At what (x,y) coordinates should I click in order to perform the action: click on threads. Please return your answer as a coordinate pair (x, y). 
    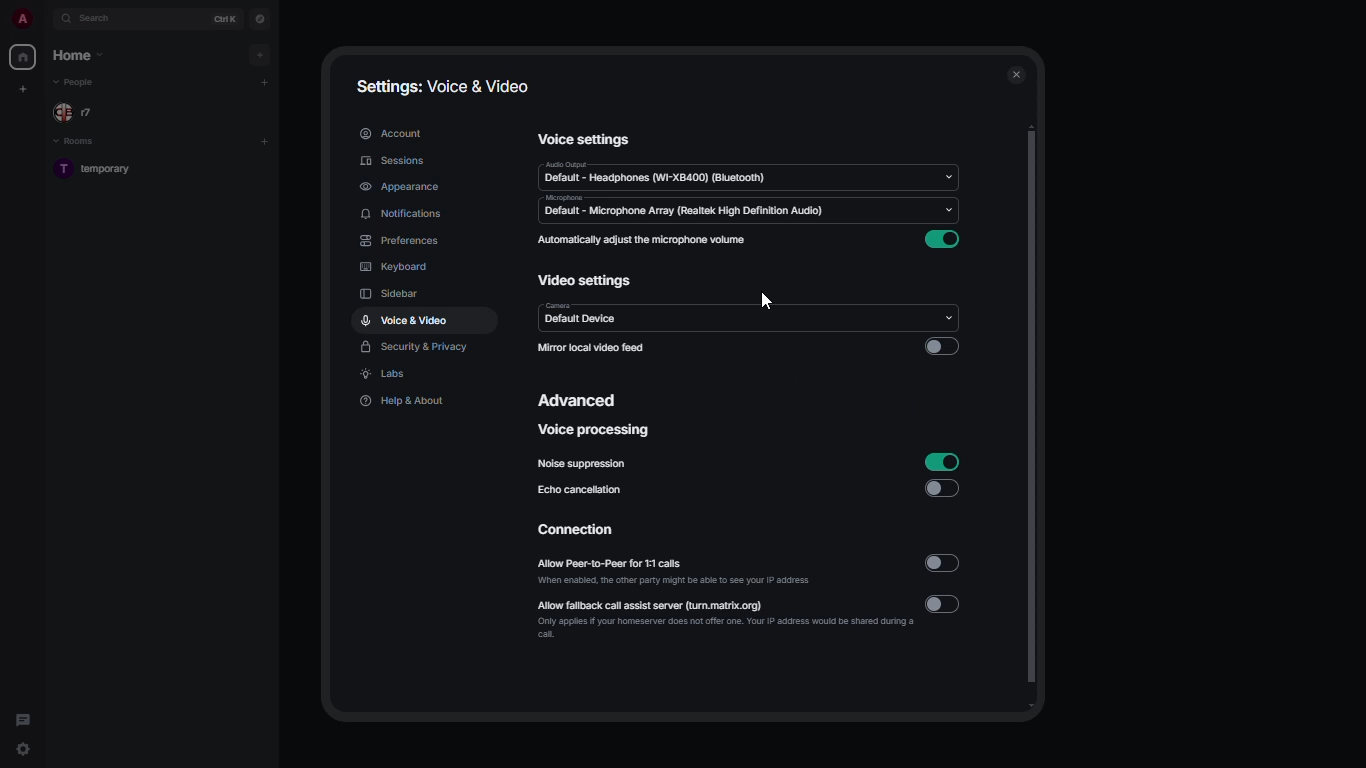
    Looking at the image, I should click on (22, 716).